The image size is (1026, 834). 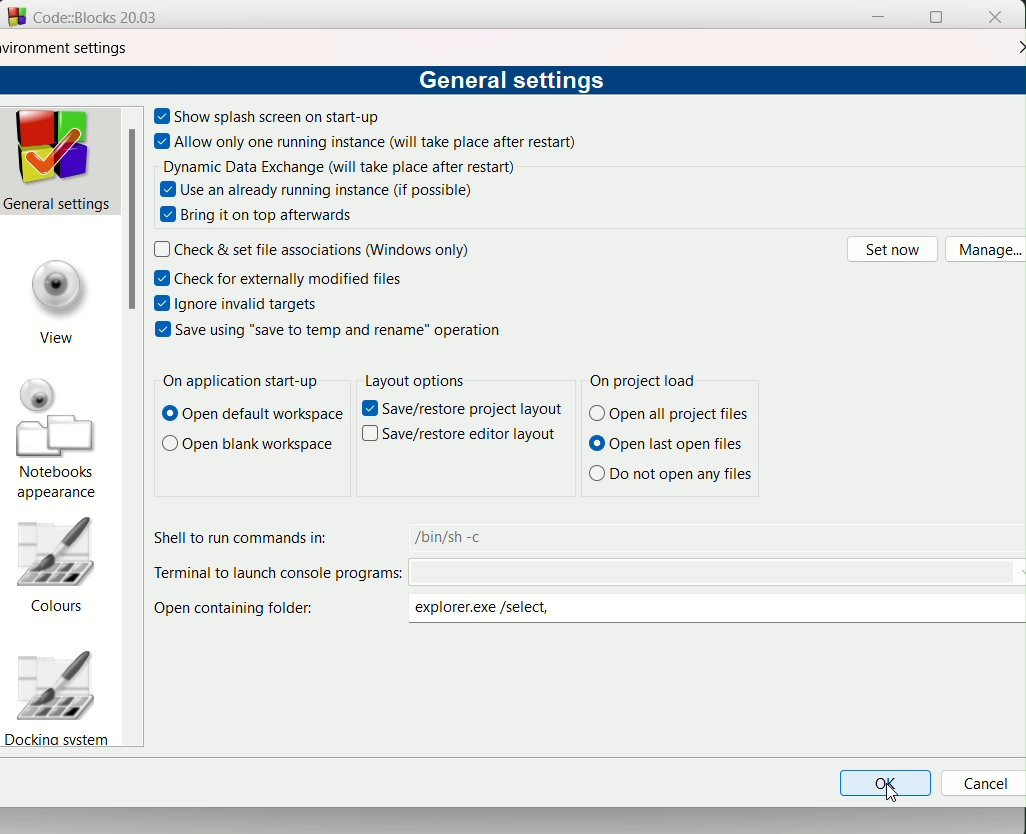 I want to click on text, so click(x=339, y=166).